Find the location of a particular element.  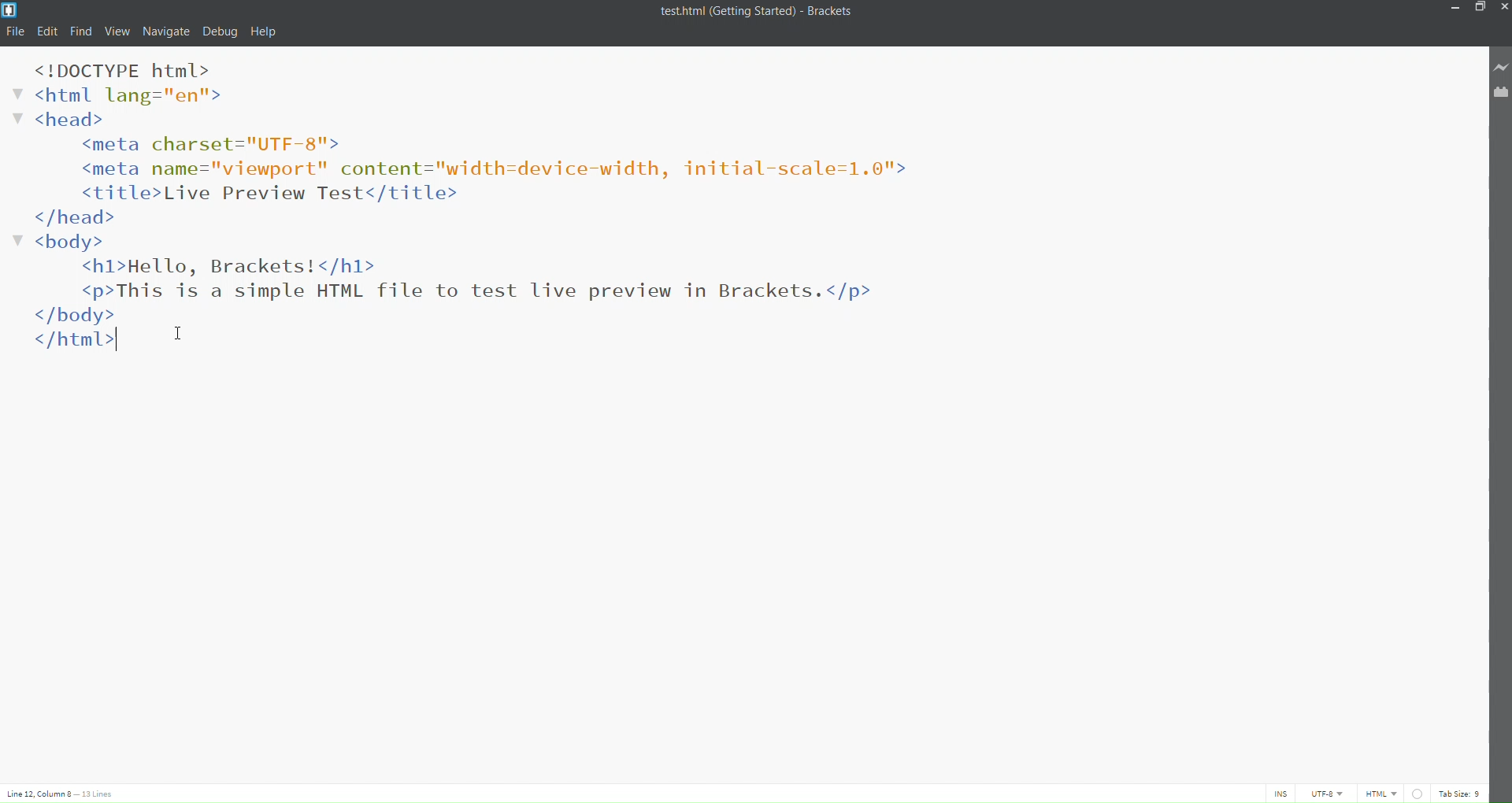

Live Preview is located at coordinates (1500, 65).